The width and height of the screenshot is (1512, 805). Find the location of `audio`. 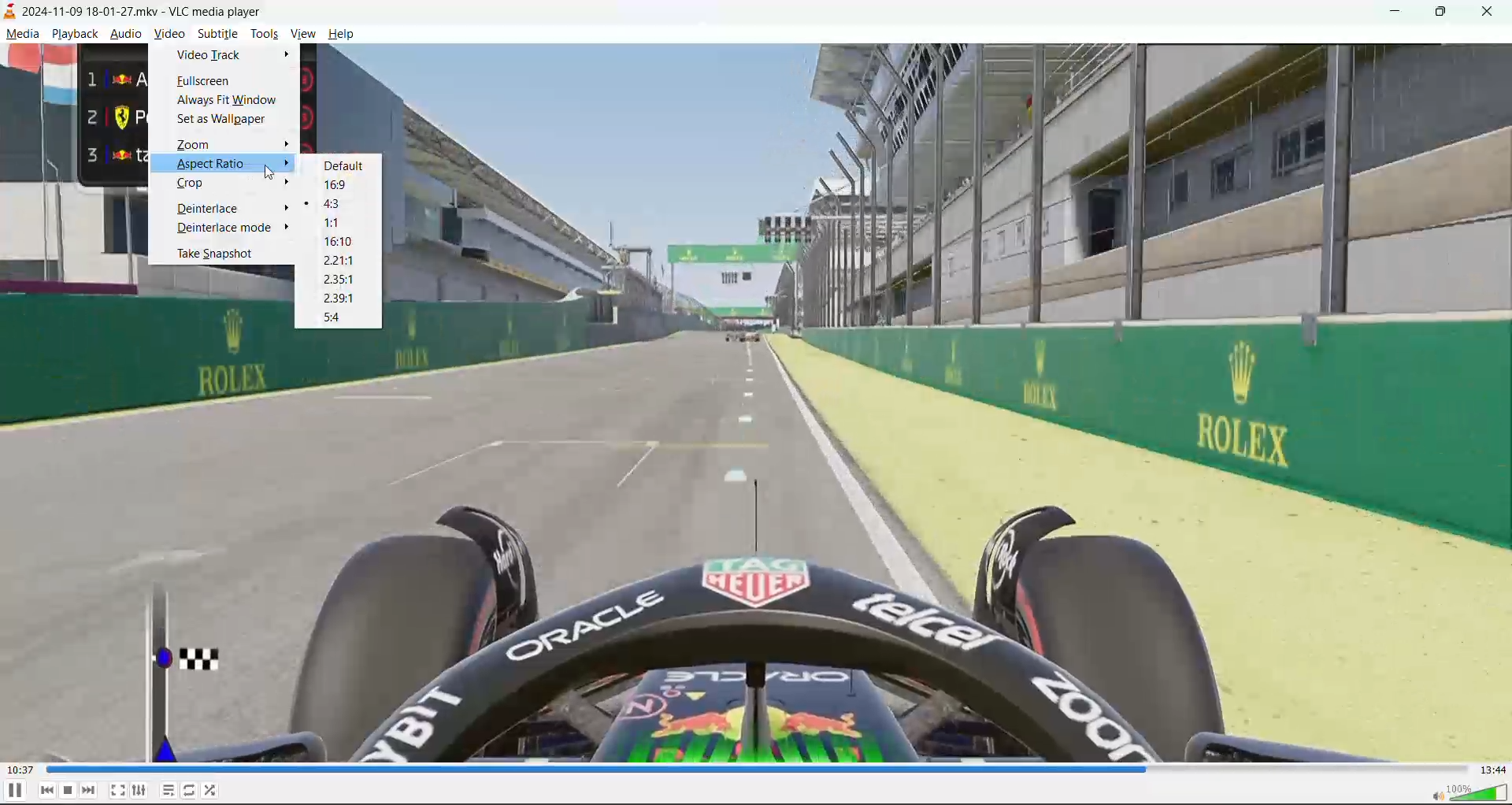

audio is located at coordinates (128, 35).